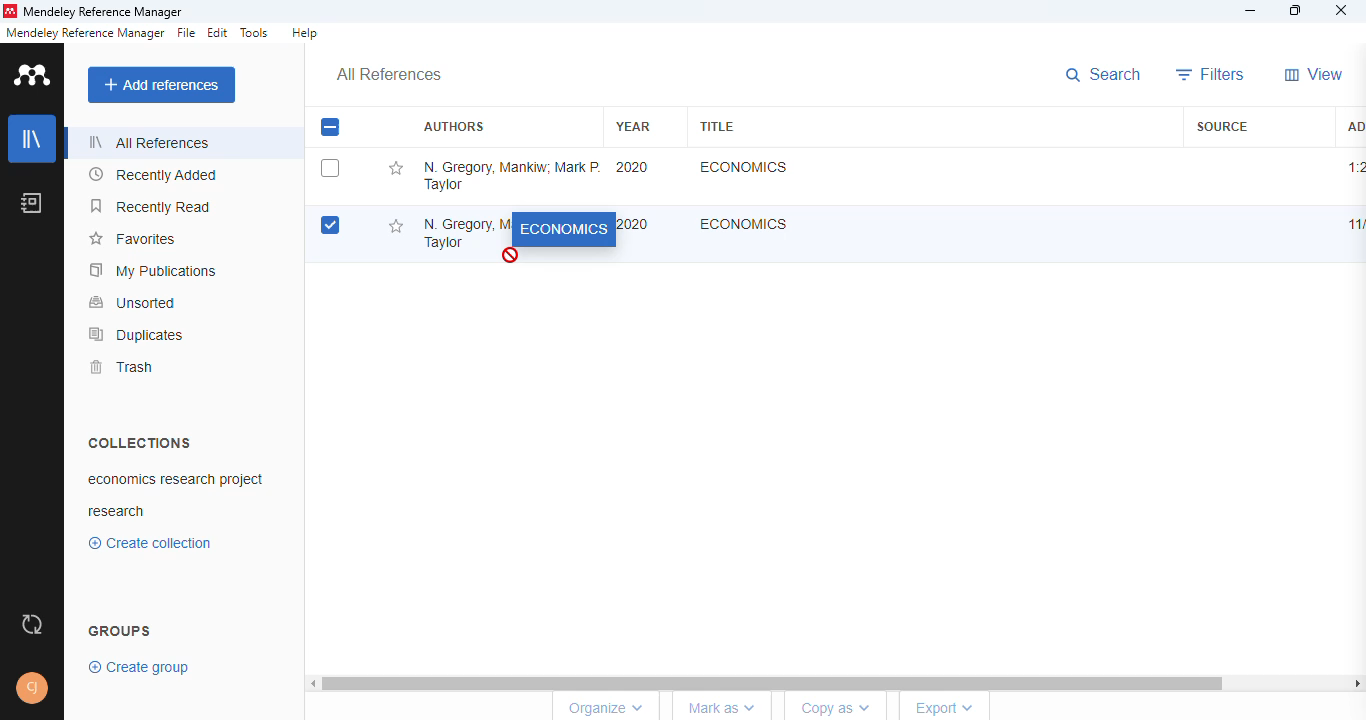 The height and width of the screenshot is (720, 1366). What do you see at coordinates (141, 666) in the screenshot?
I see `create group` at bounding box center [141, 666].